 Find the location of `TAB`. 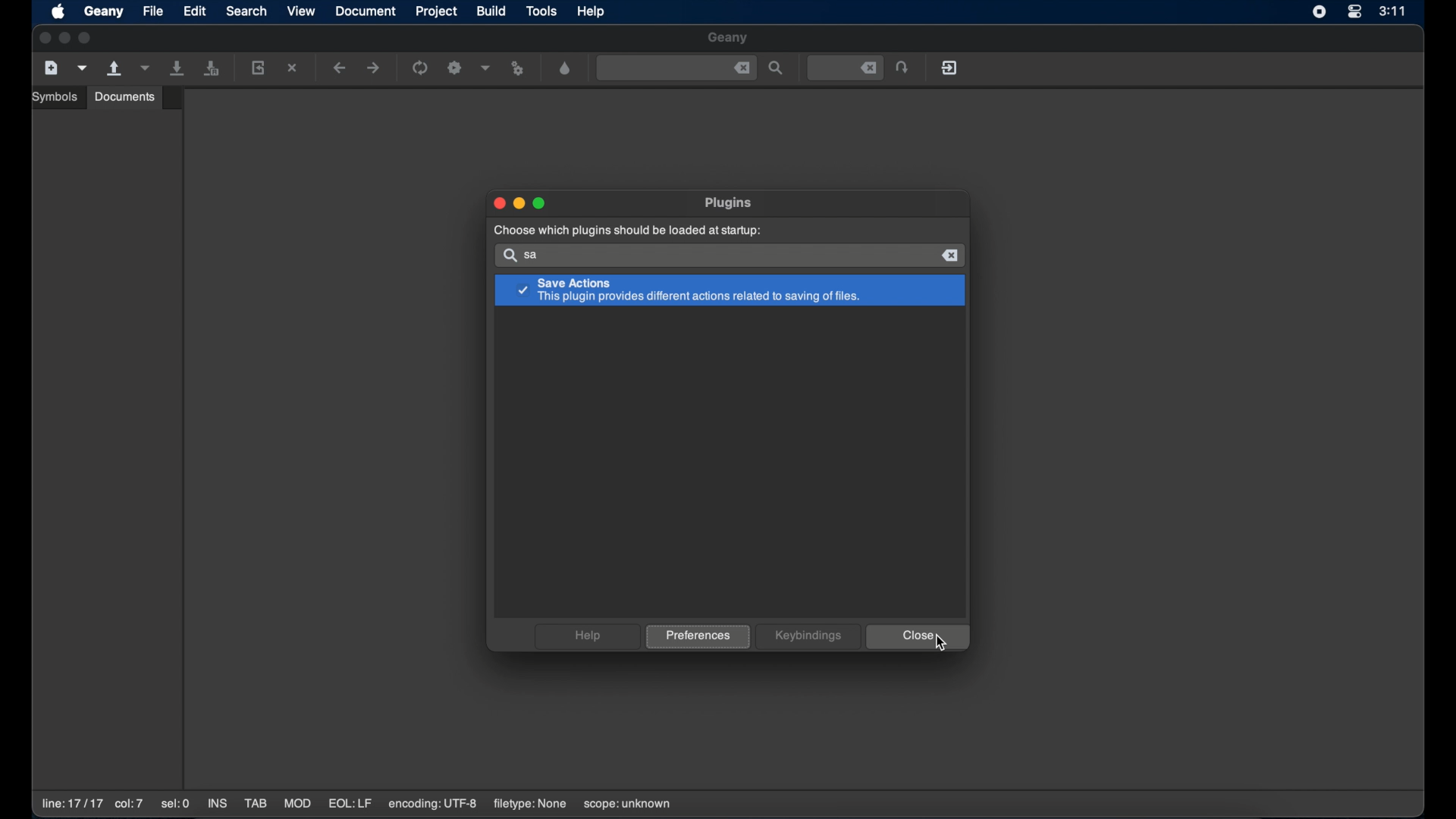

TAB is located at coordinates (256, 804).